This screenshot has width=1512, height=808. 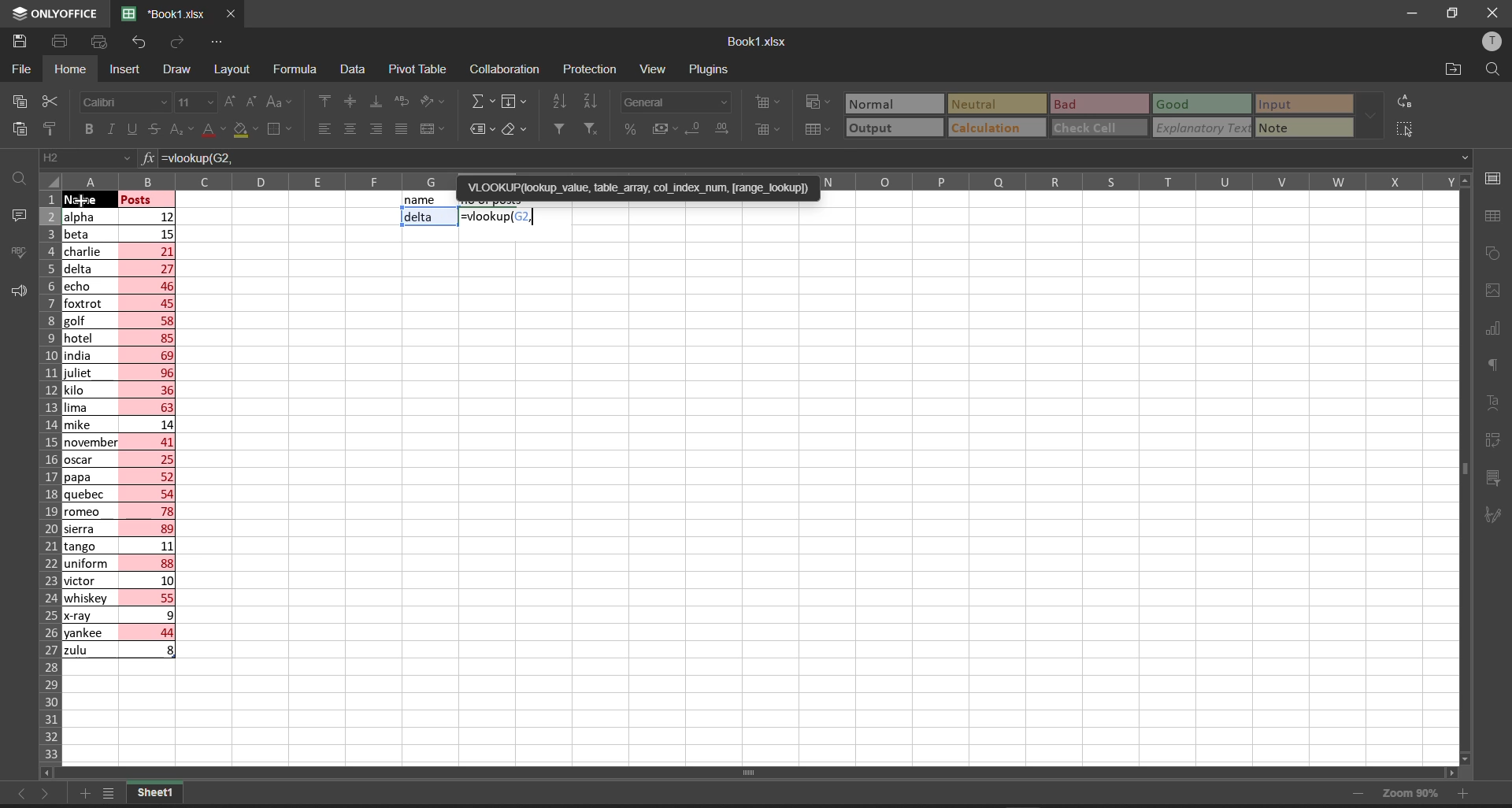 I want to click on slicer settings, so click(x=1501, y=474).